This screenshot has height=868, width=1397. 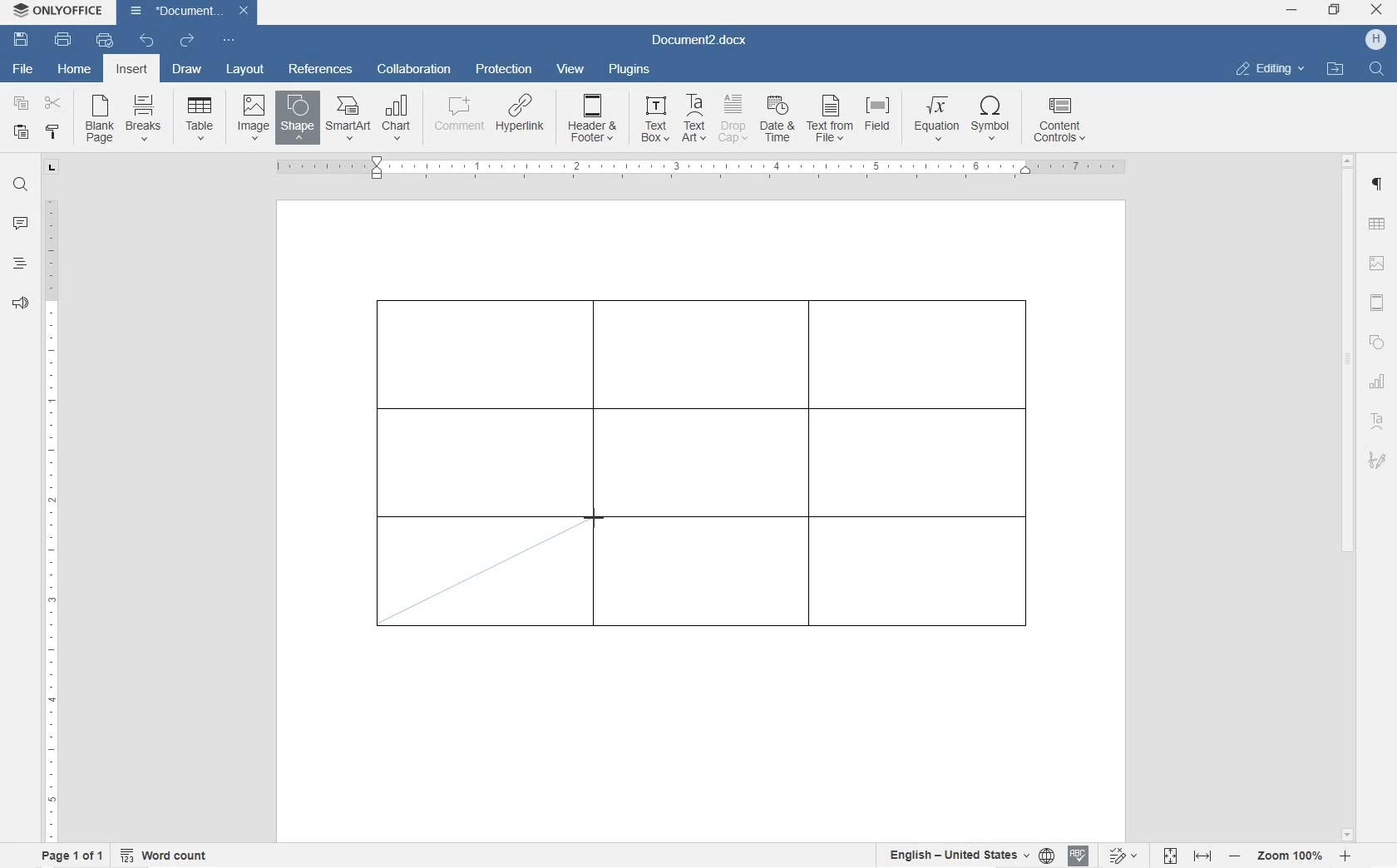 What do you see at coordinates (297, 121) in the screenshot?
I see `INSERT SHAPE` at bounding box center [297, 121].